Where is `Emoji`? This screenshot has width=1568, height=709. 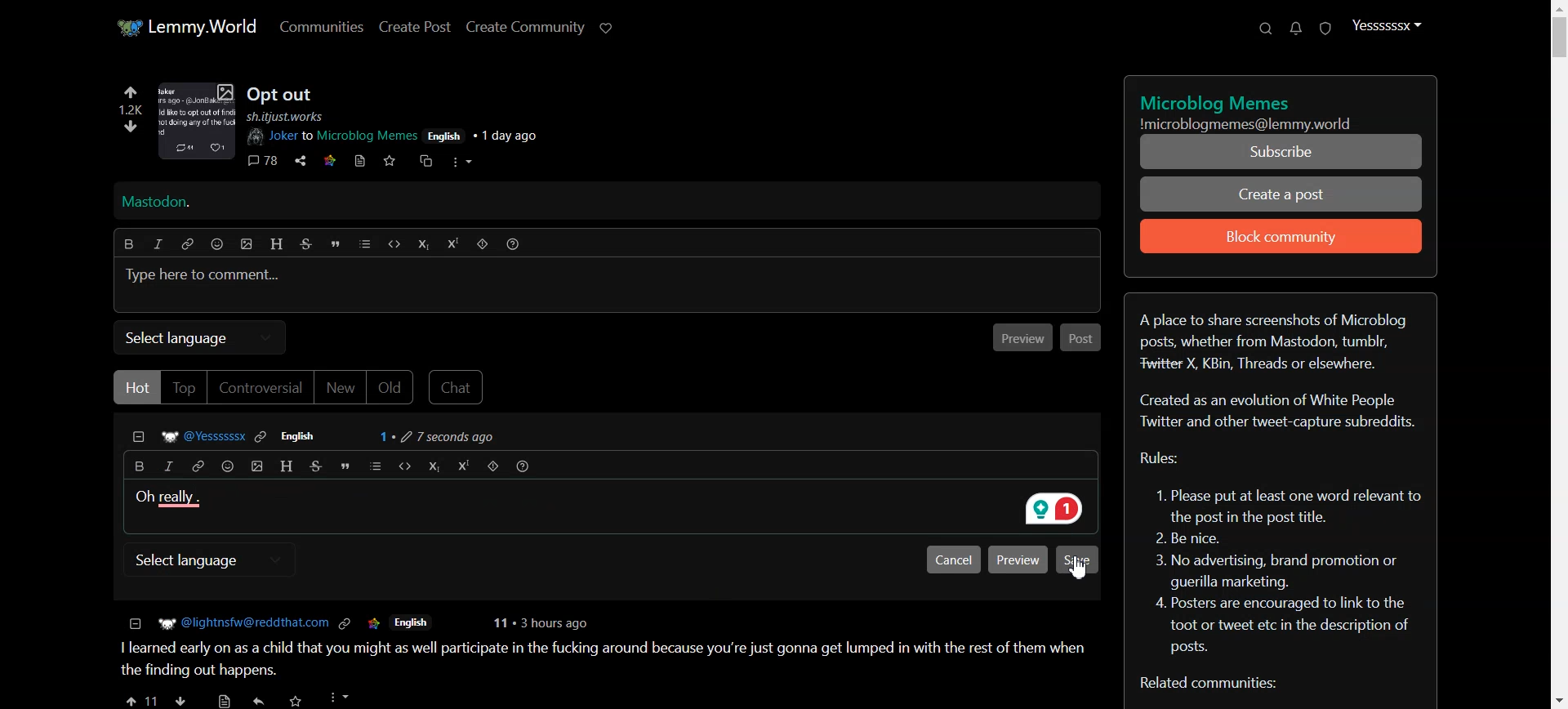 Emoji is located at coordinates (219, 243).